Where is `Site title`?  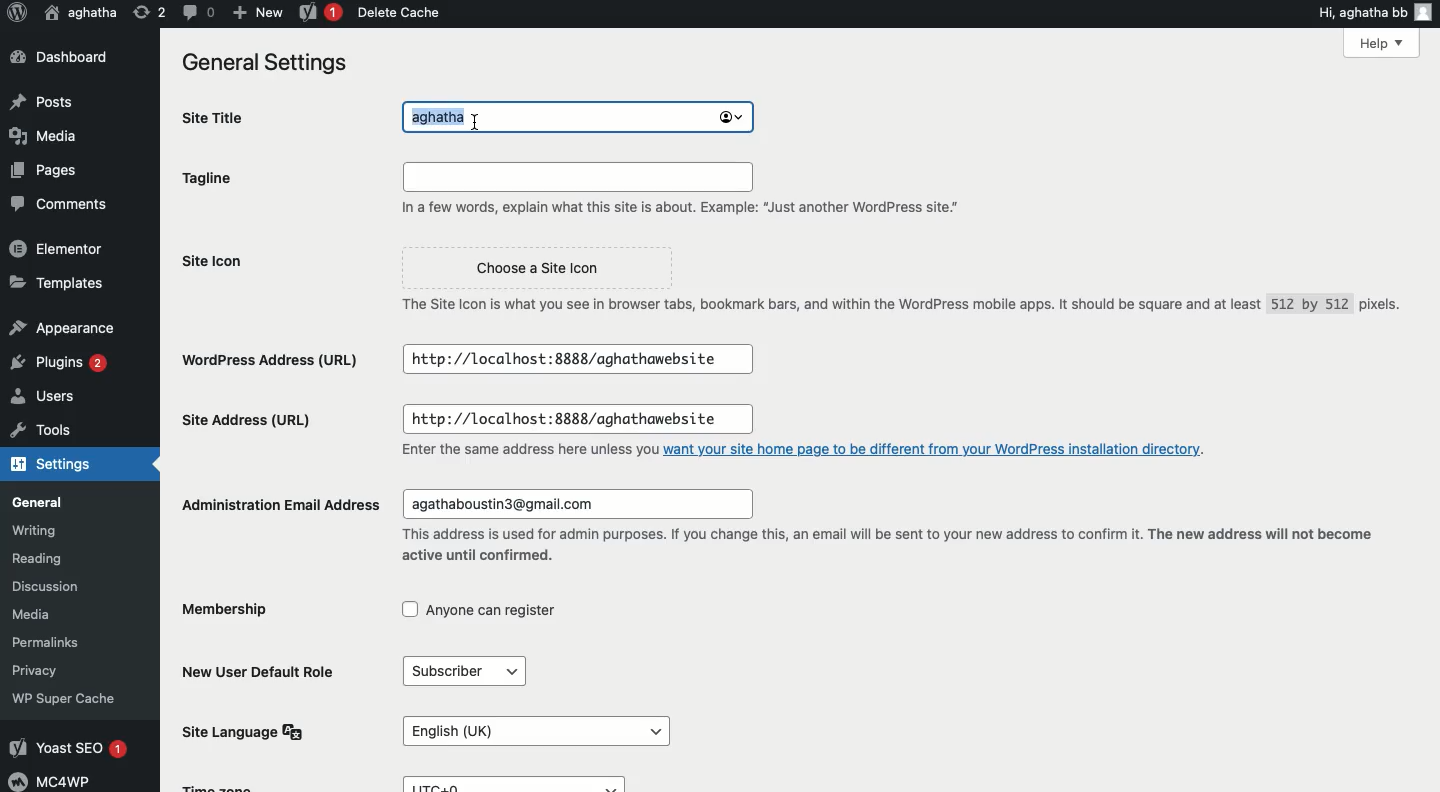
Site title is located at coordinates (215, 116).